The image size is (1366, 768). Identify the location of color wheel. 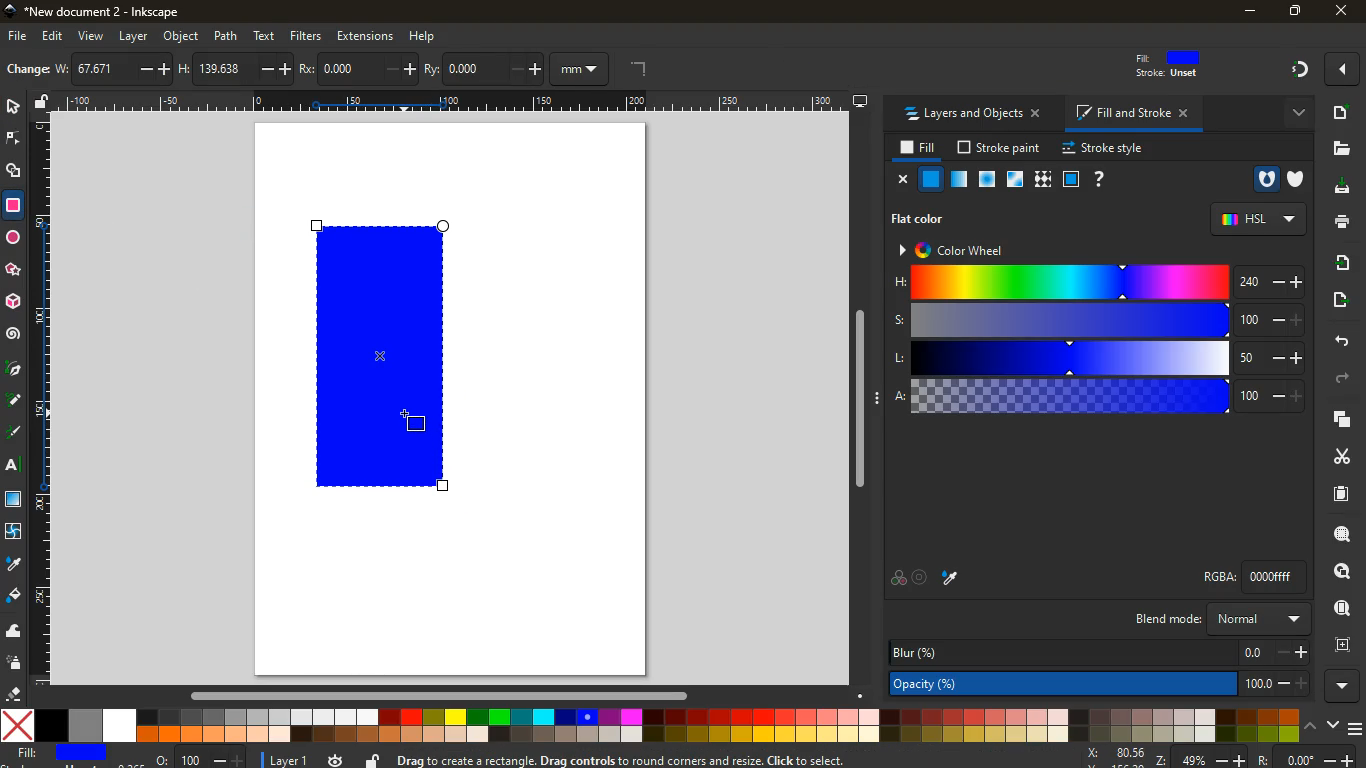
(957, 250).